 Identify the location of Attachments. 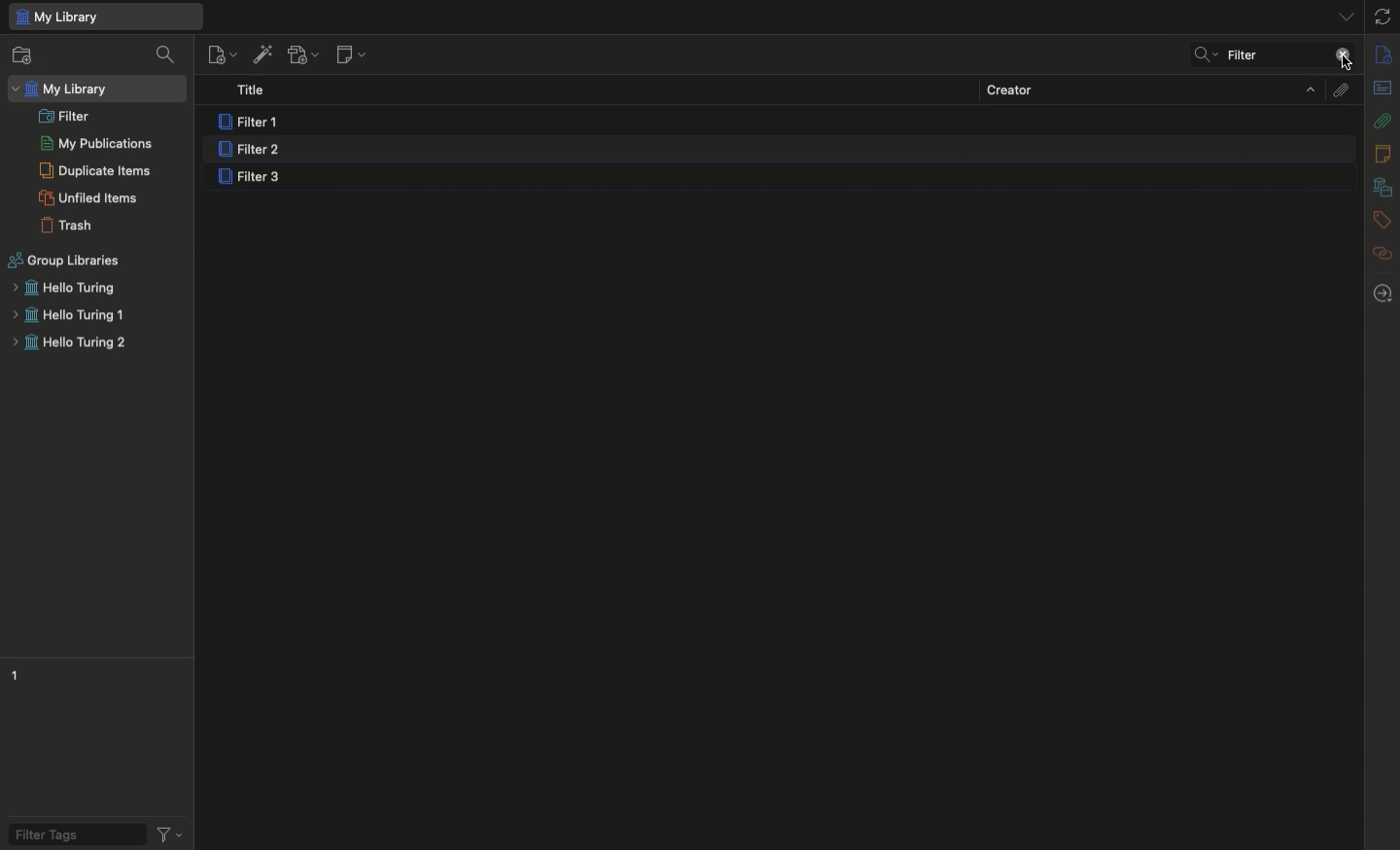
(1382, 120).